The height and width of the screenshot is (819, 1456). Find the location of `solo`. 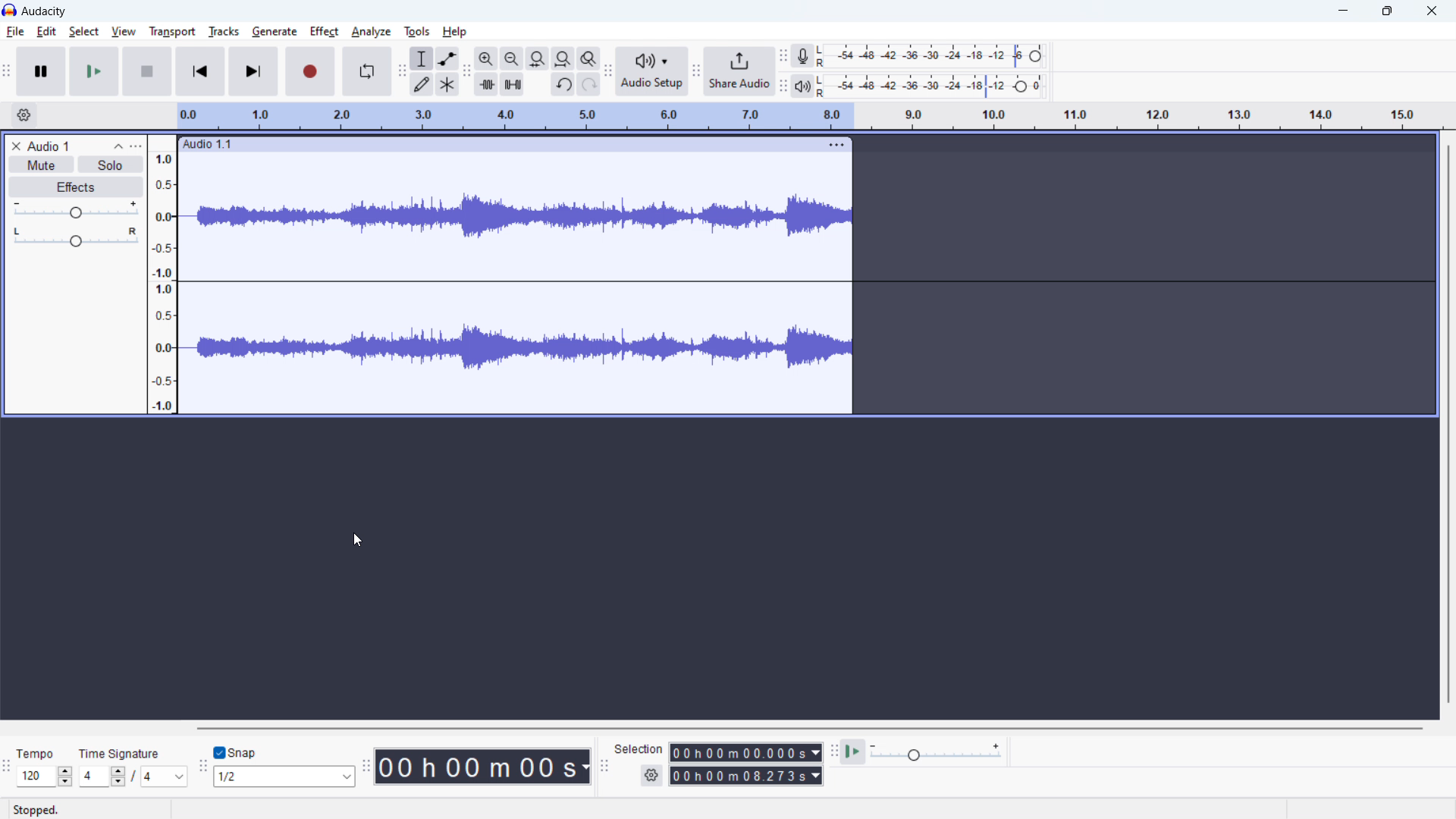

solo is located at coordinates (111, 164).